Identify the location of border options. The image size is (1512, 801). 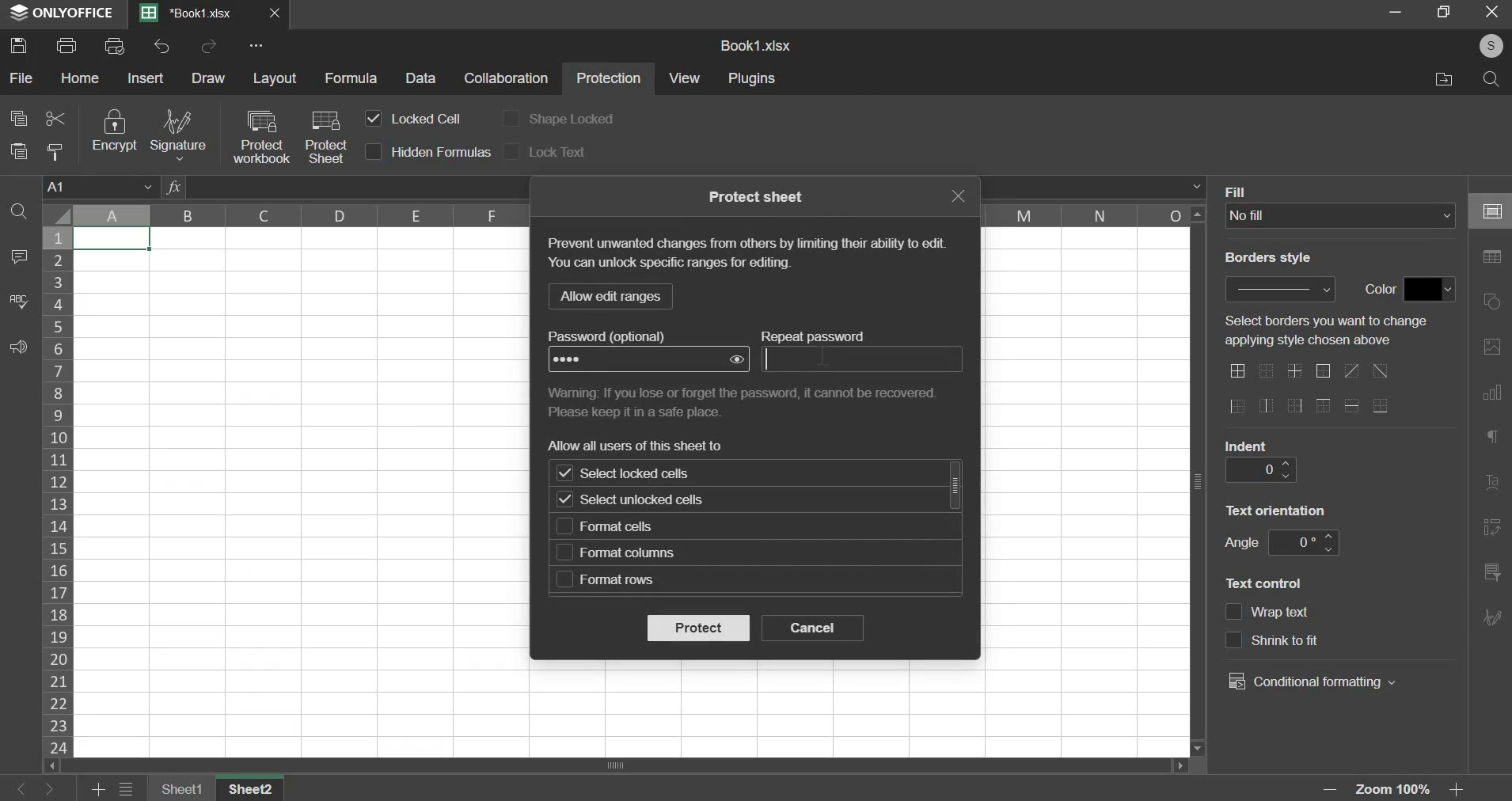
(1354, 405).